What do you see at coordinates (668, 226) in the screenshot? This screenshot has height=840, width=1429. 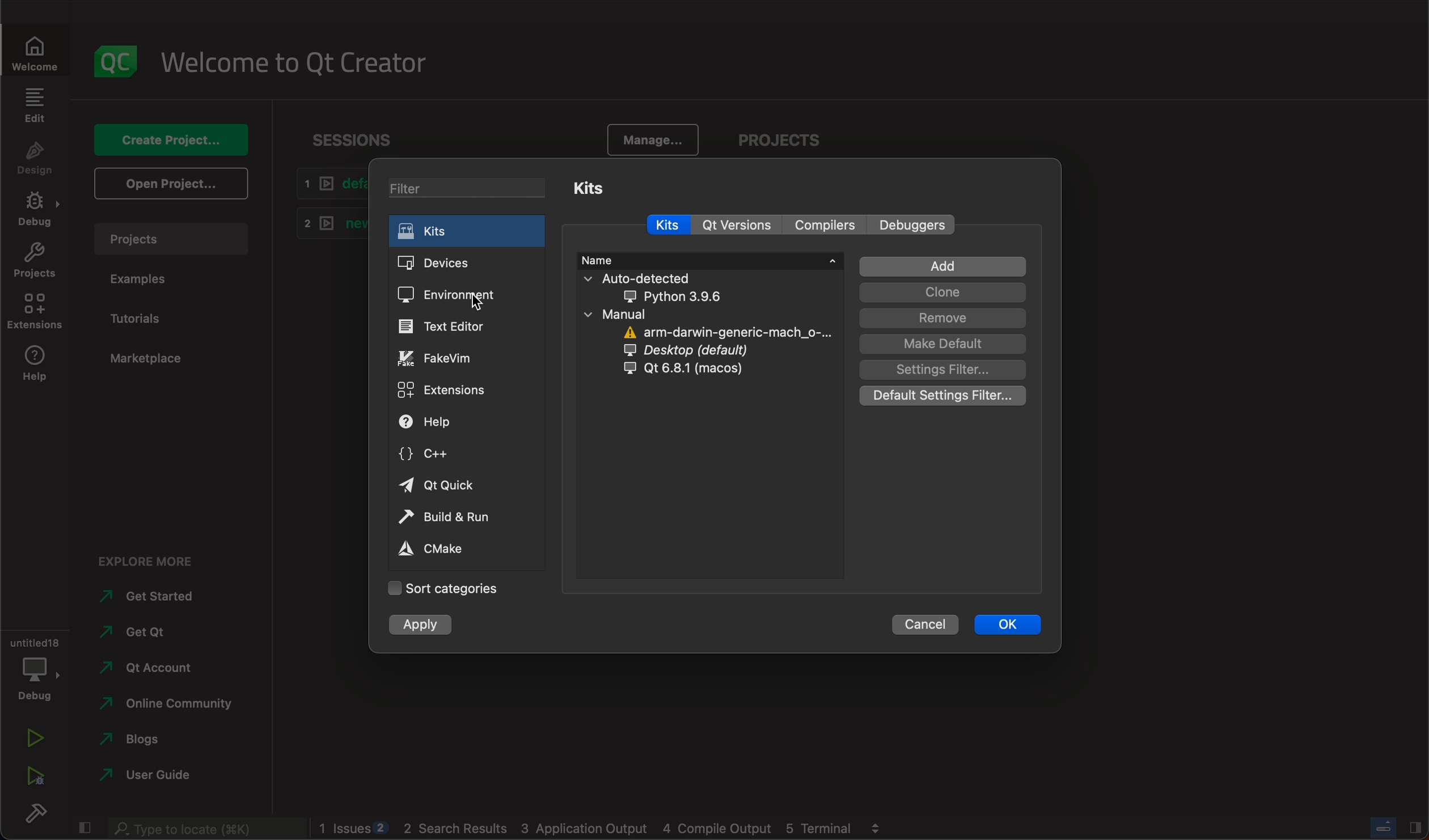 I see `kits` at bounding box center [668, 226].